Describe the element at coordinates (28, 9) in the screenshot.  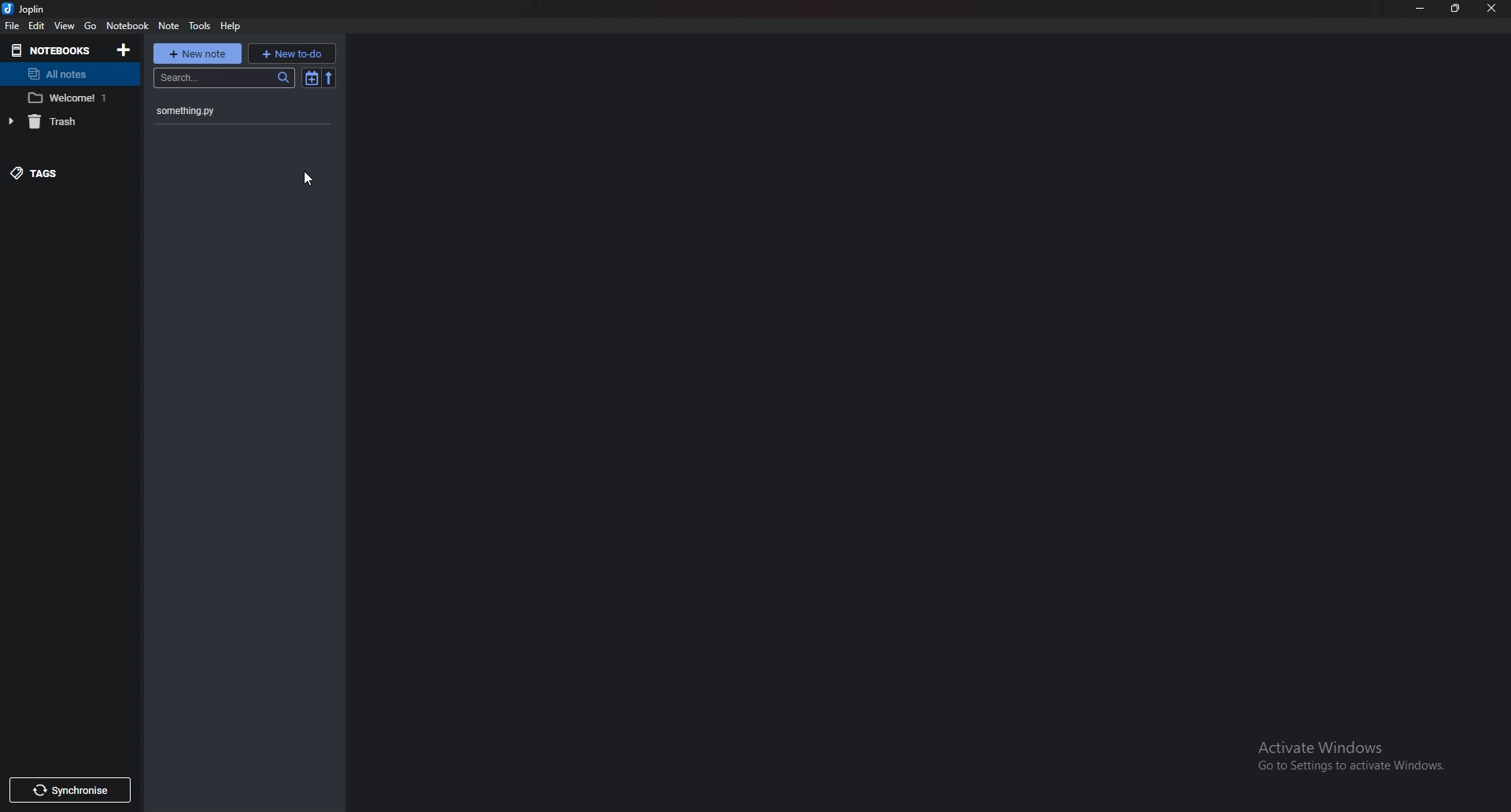
I see `joplin` at that location.